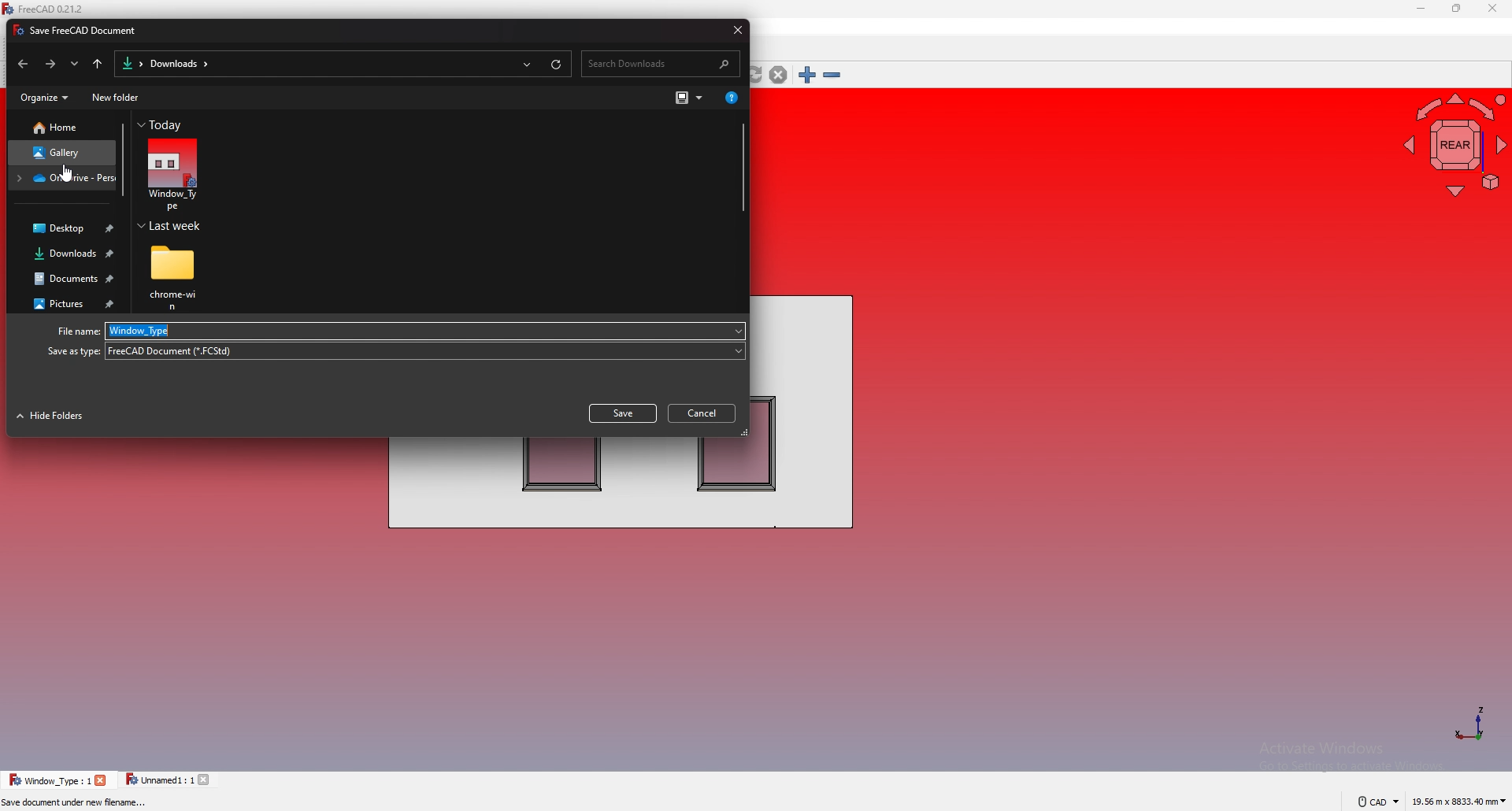 Image resolution: width=1512 pixels, height=811 pixels. What do you see at coordinates (424, 351) in the screenshot?
I see `FreeCAD Document (*.FCStd)` at bounding box center [424, 351].